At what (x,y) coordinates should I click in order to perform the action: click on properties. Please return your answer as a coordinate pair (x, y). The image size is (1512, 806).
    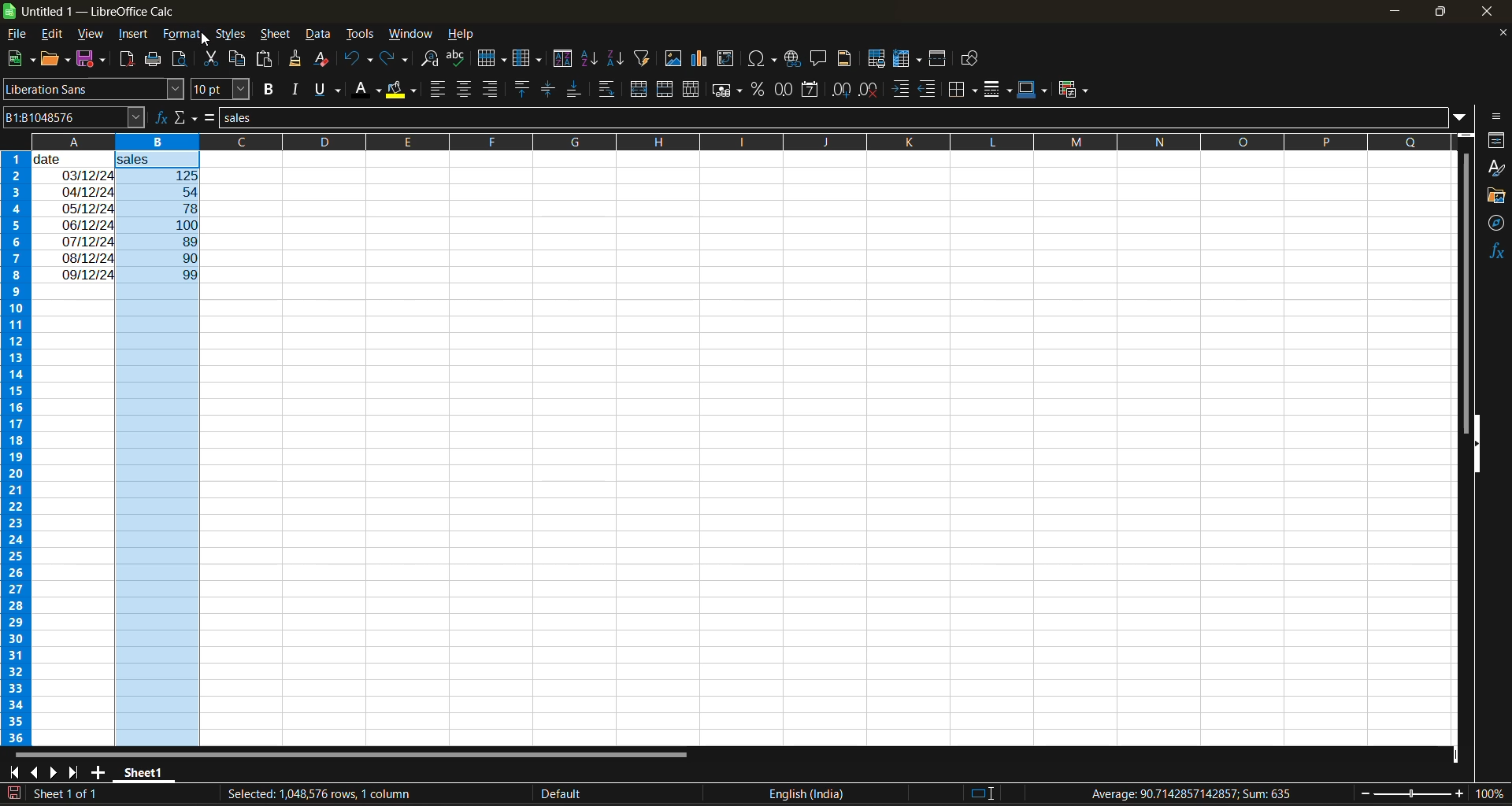
    Looking at the image, I should click on (1496, 140).